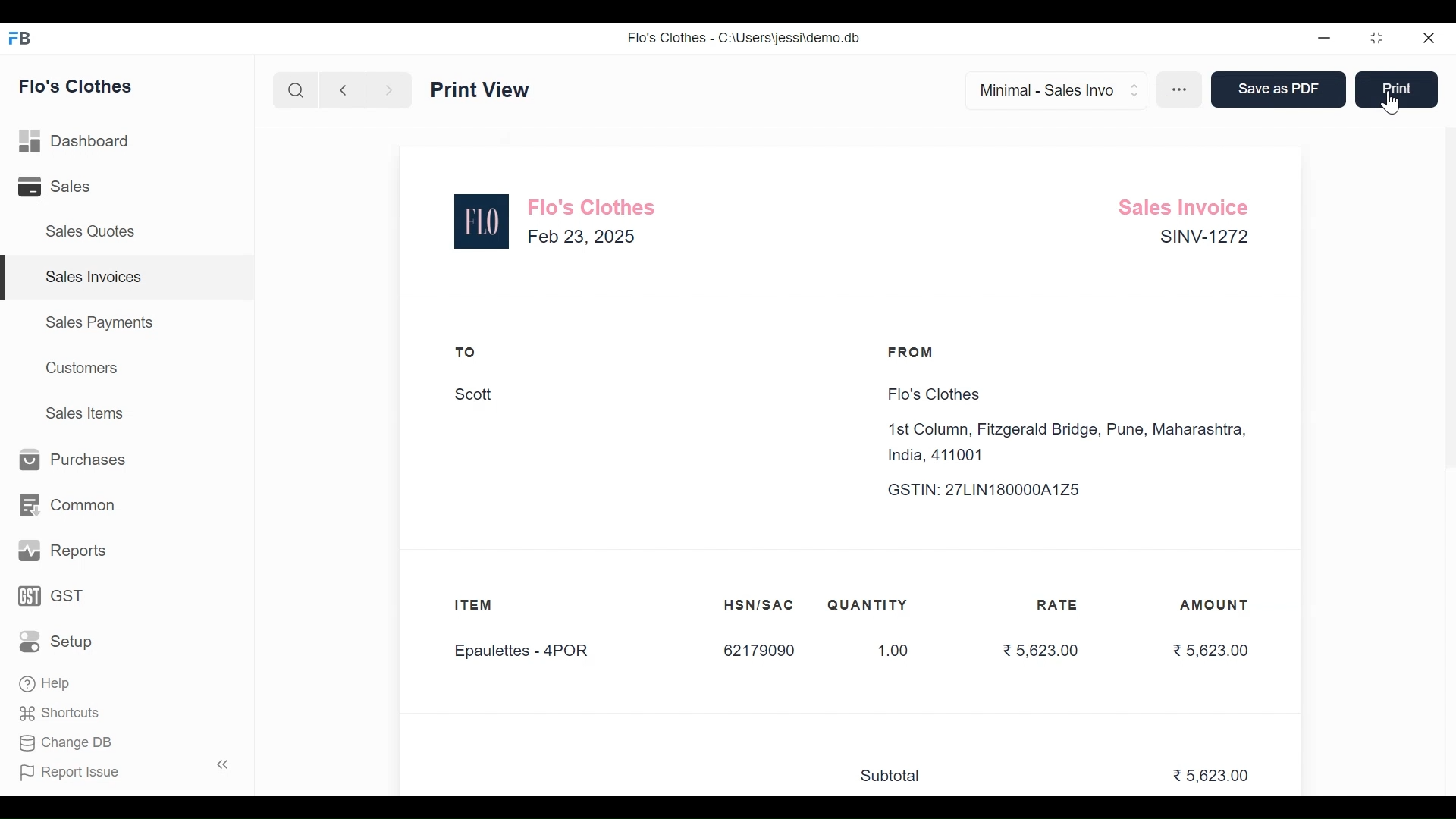 This screenshot has width=1456, height=819. Describe the element at coordinates (1210, 650) in the screenshot. I see `5,623.00` at that location.